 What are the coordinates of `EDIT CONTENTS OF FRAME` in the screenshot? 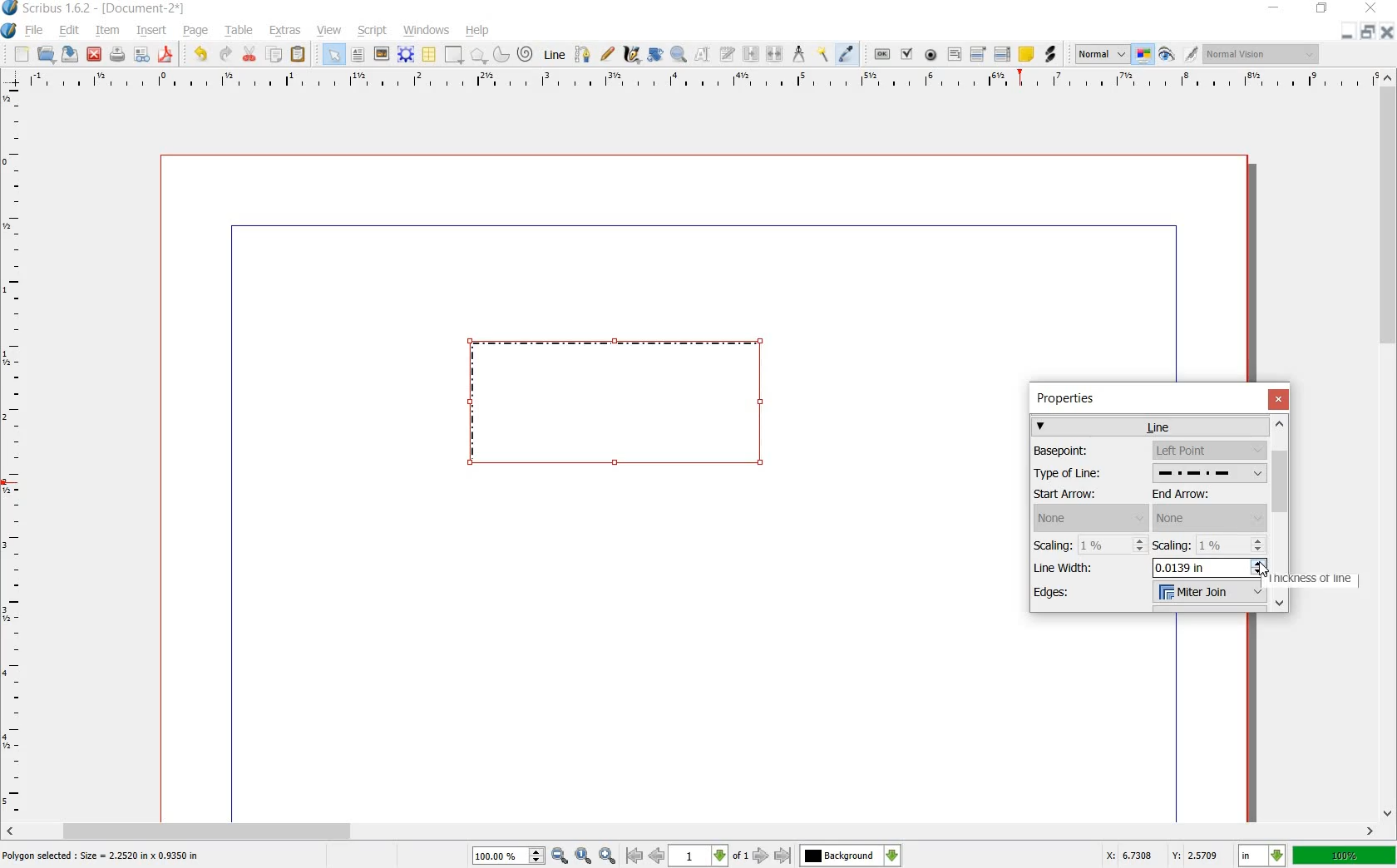 It's located at (703, 55).